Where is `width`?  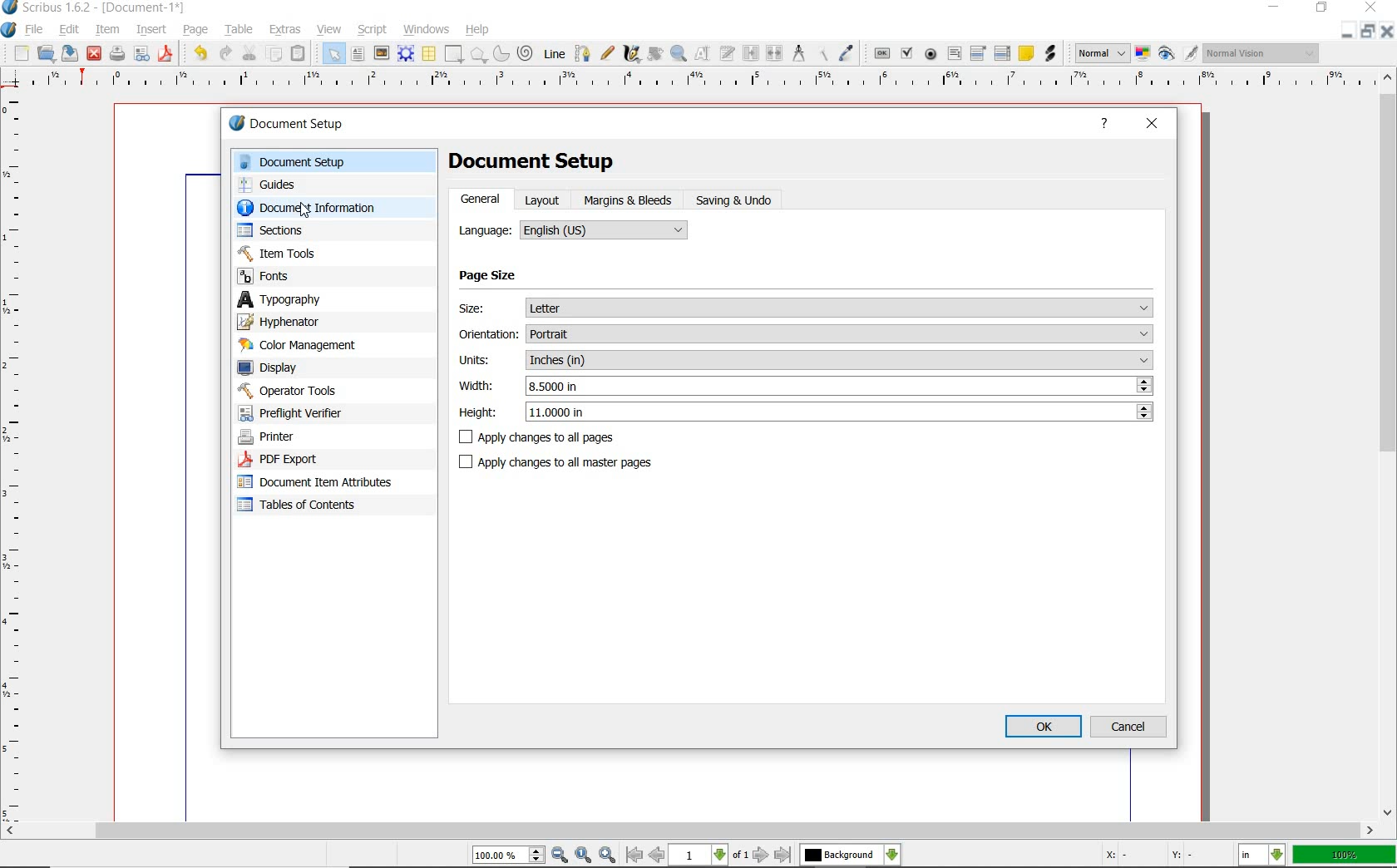
width is located at coordinates (806, 386).